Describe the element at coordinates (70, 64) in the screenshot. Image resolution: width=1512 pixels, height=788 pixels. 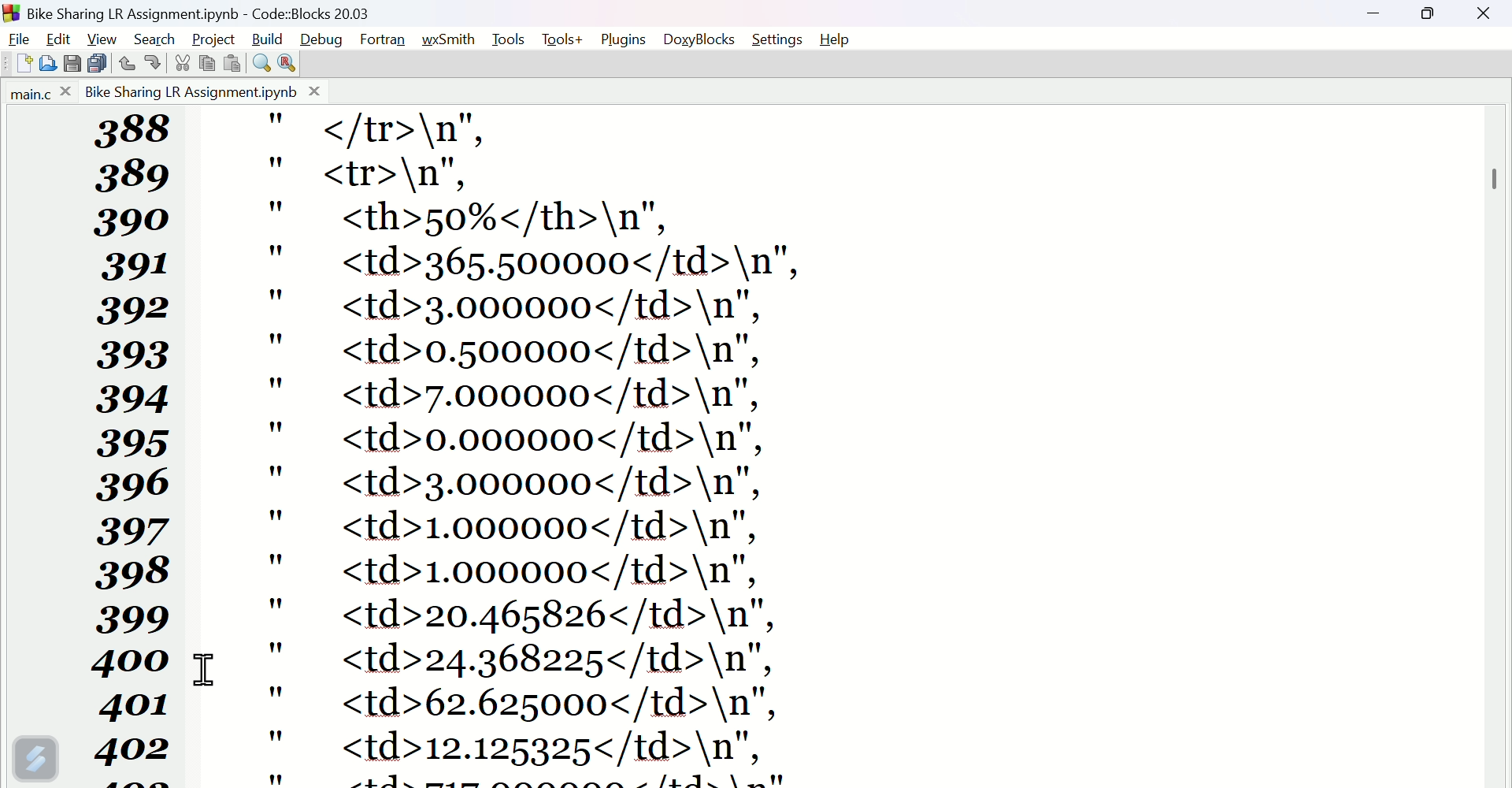
I see `Save` at that location.